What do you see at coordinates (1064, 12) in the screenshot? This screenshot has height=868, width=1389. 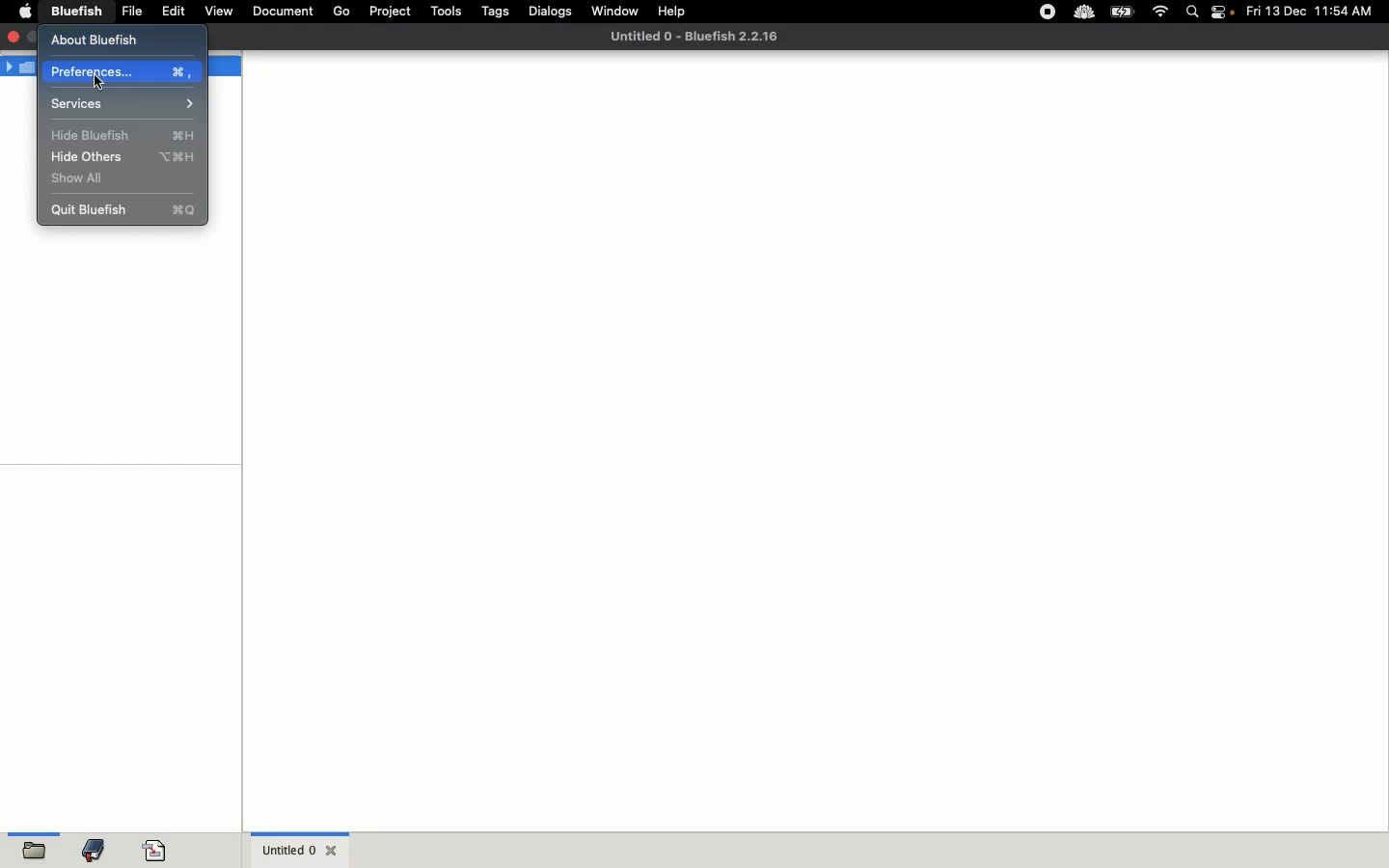 I see `Extensions` at bounding box center [1064, 12].